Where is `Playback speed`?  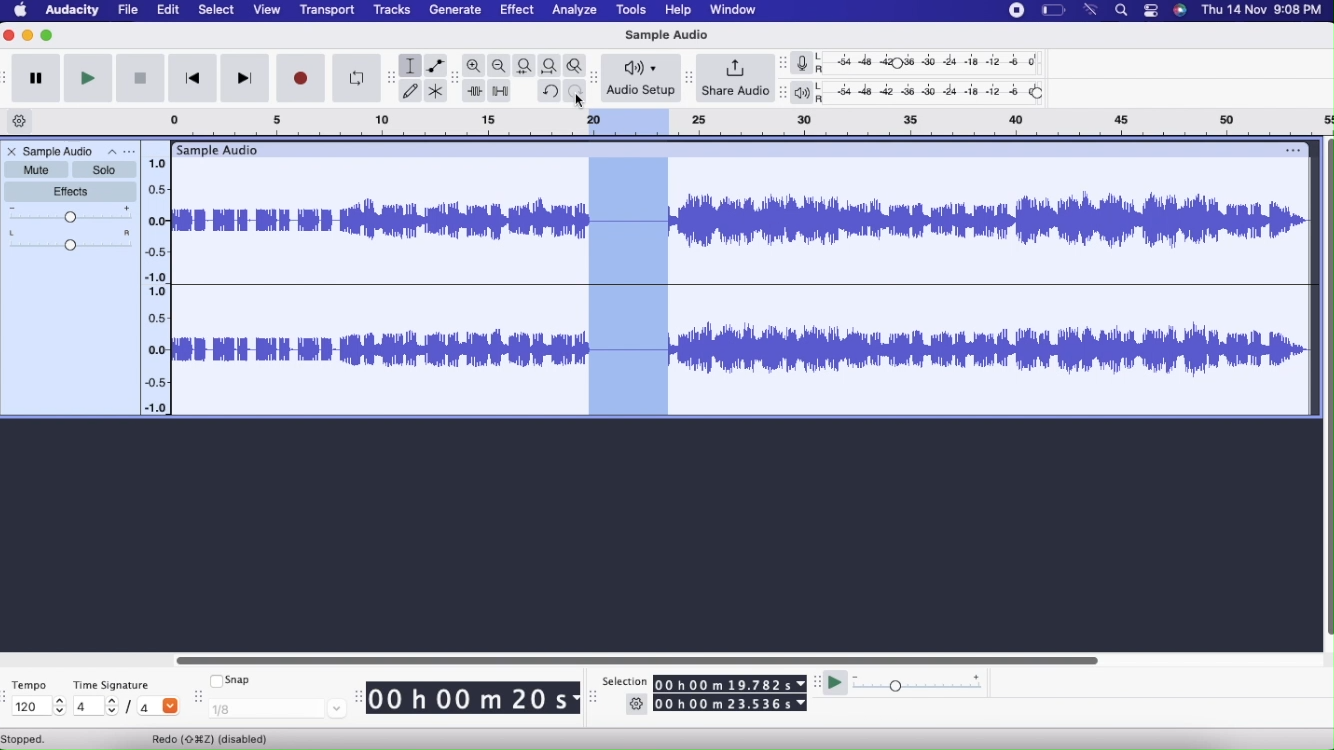
Playback speed is located at coordinates (917, 684).